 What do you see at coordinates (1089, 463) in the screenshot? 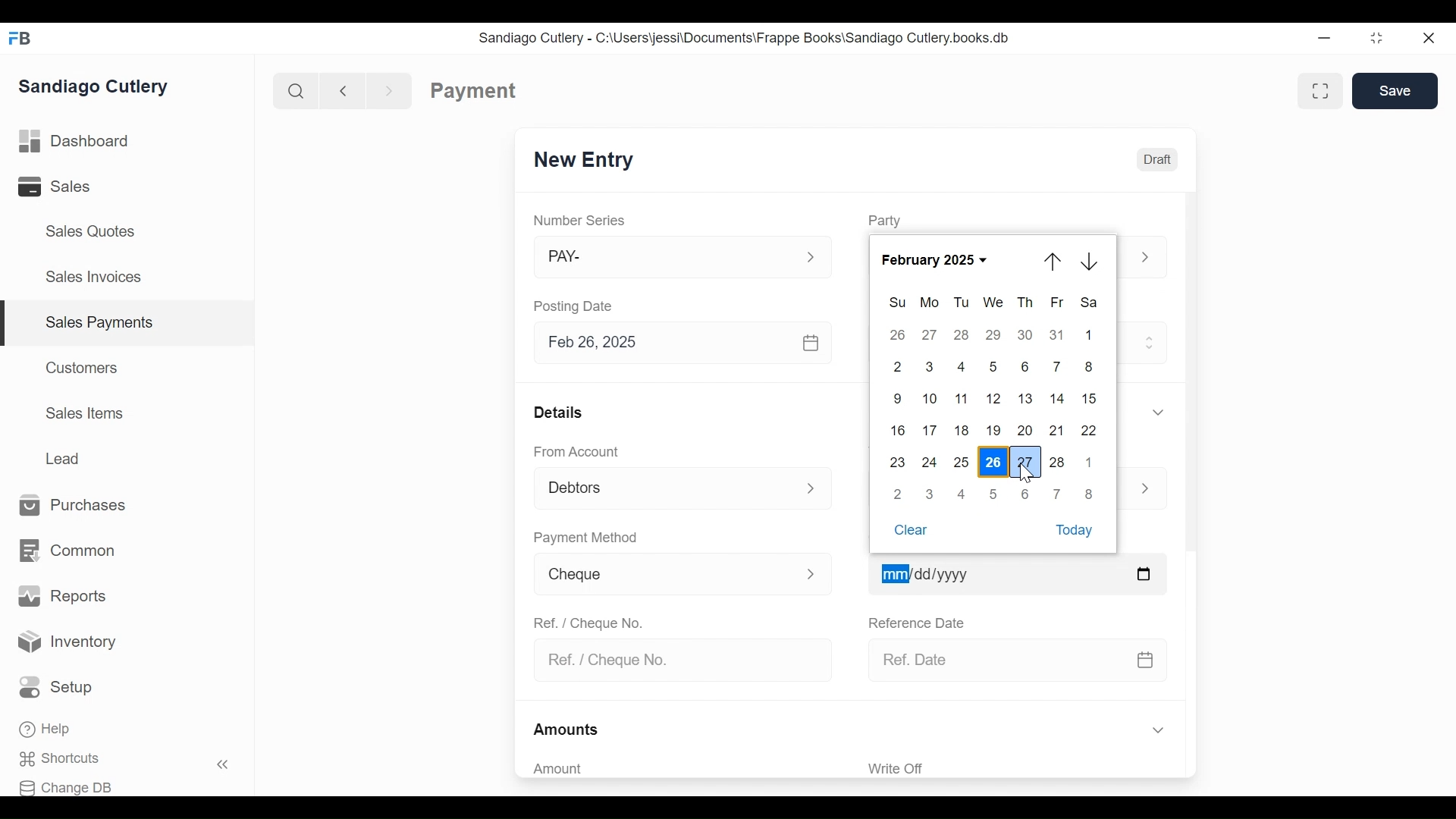
I see `1` at bounding box center [1089, 463].